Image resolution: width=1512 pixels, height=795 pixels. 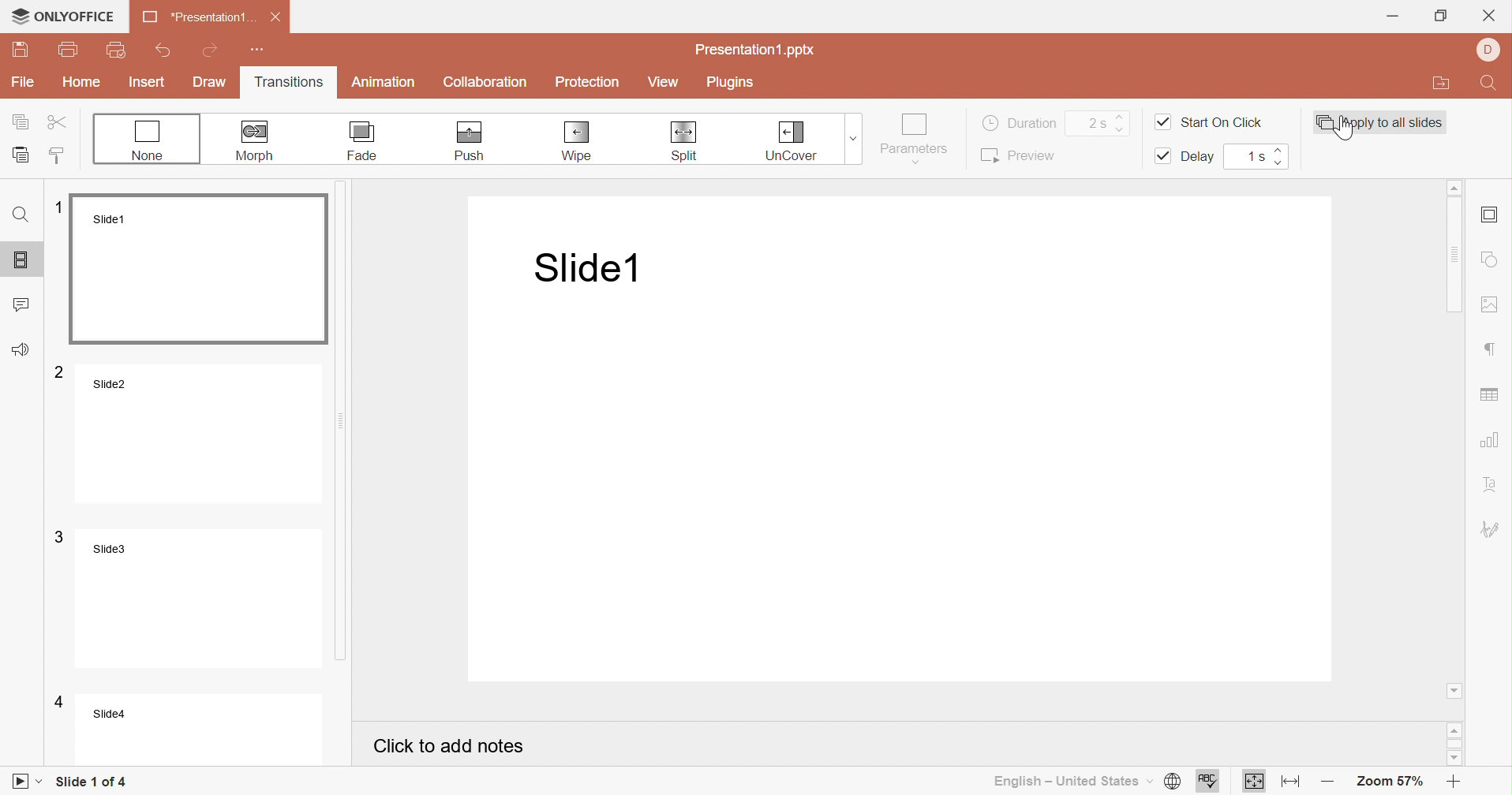 What do you see at coordinates (116, 50) in the screenshot?
I see `Quick print` at bounding box center [116, 50].